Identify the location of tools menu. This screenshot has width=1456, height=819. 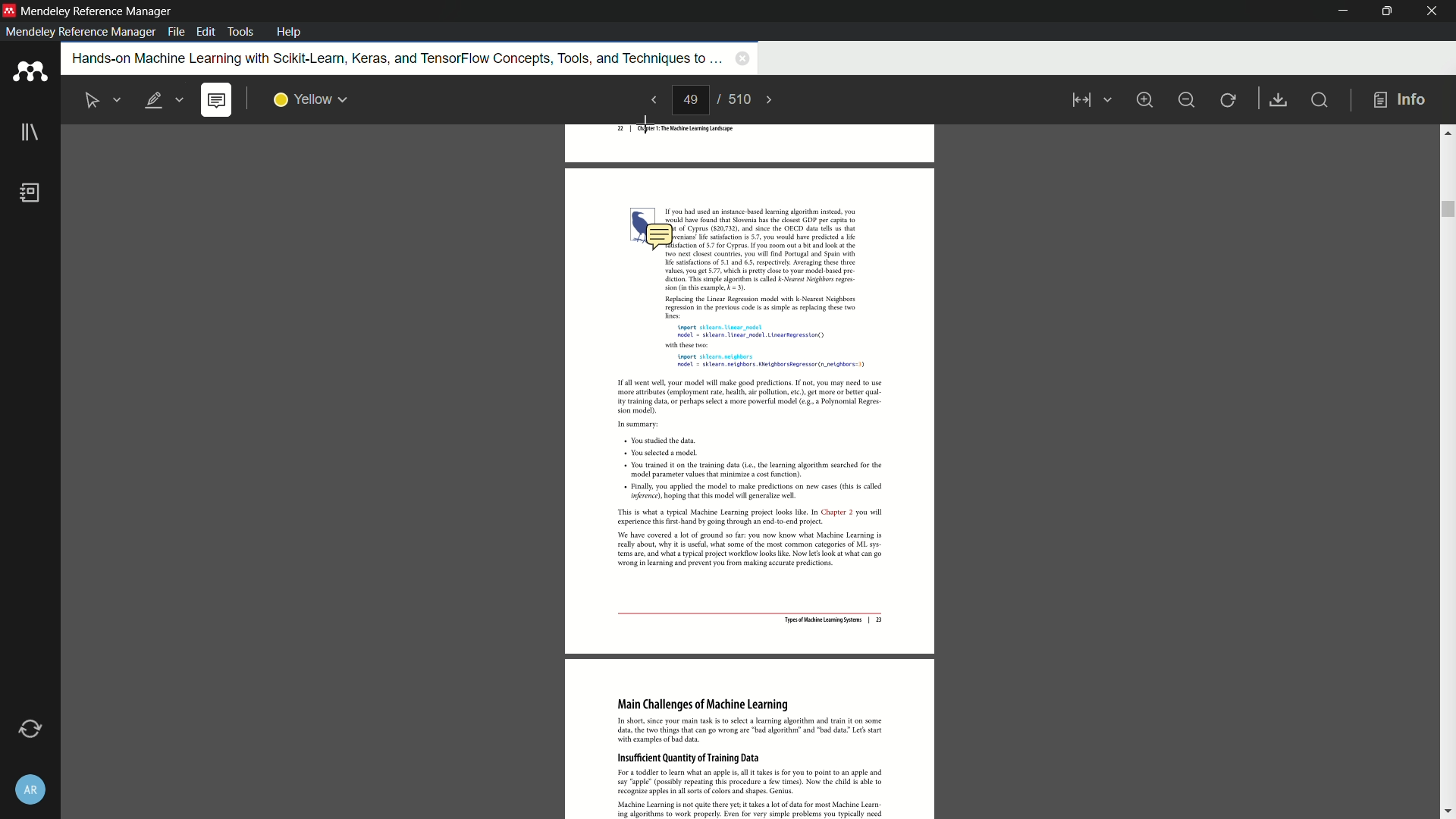
(242, 30).